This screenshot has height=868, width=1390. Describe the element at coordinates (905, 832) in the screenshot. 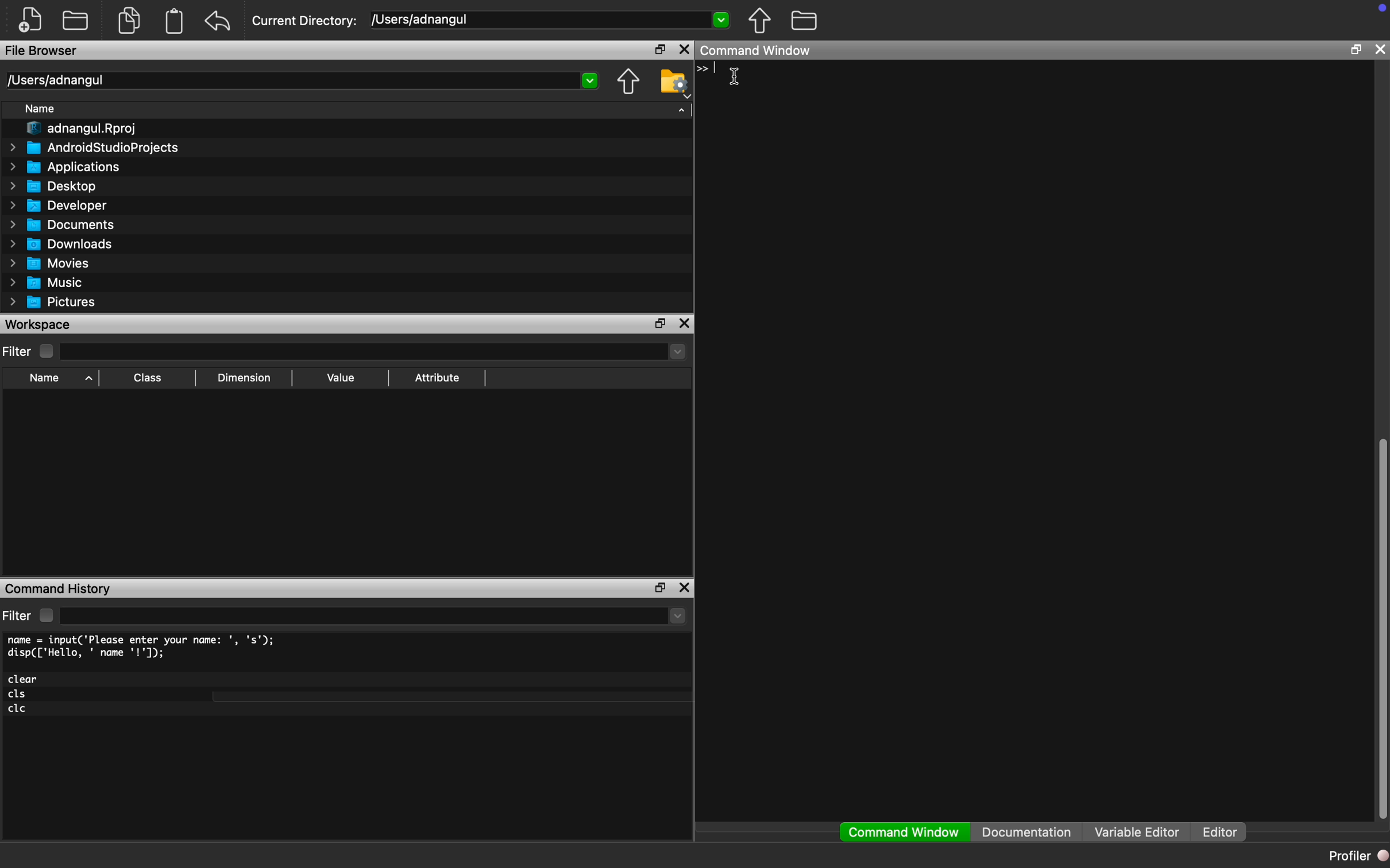

I see `Command Window` at that location.